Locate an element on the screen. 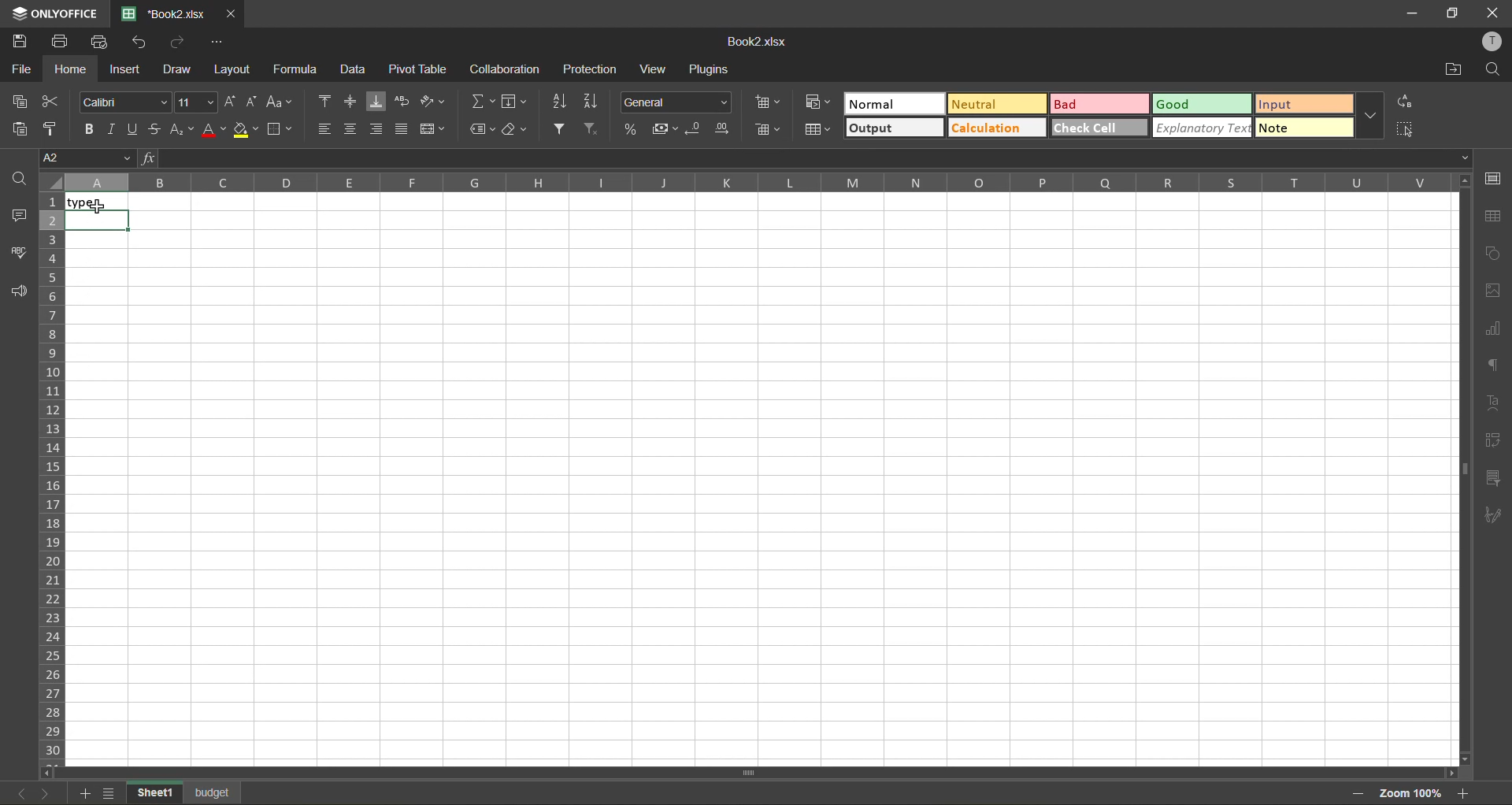  increment size is located at coordinates (228, 102).